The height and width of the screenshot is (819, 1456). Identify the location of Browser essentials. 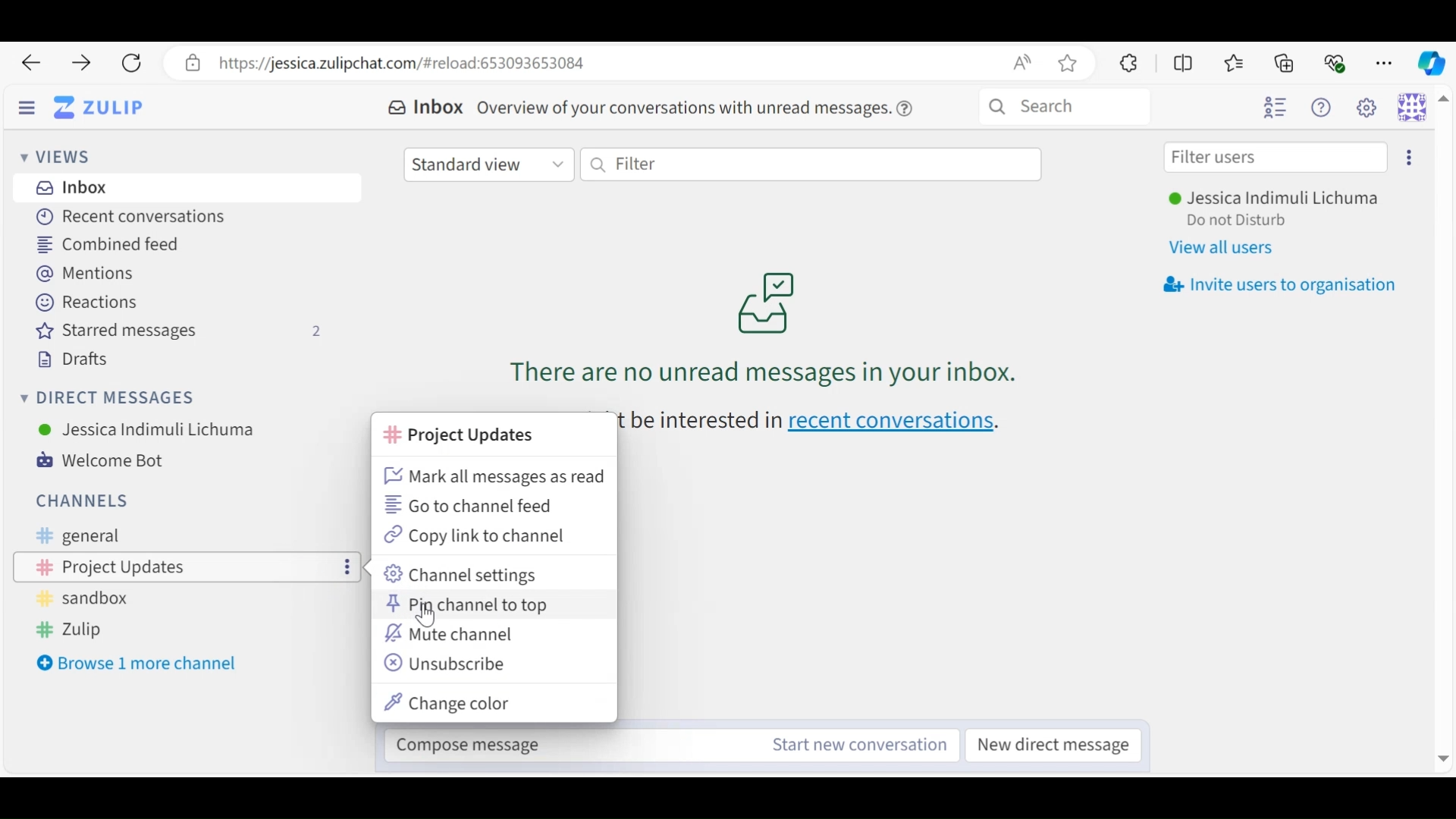
(1336, 61).